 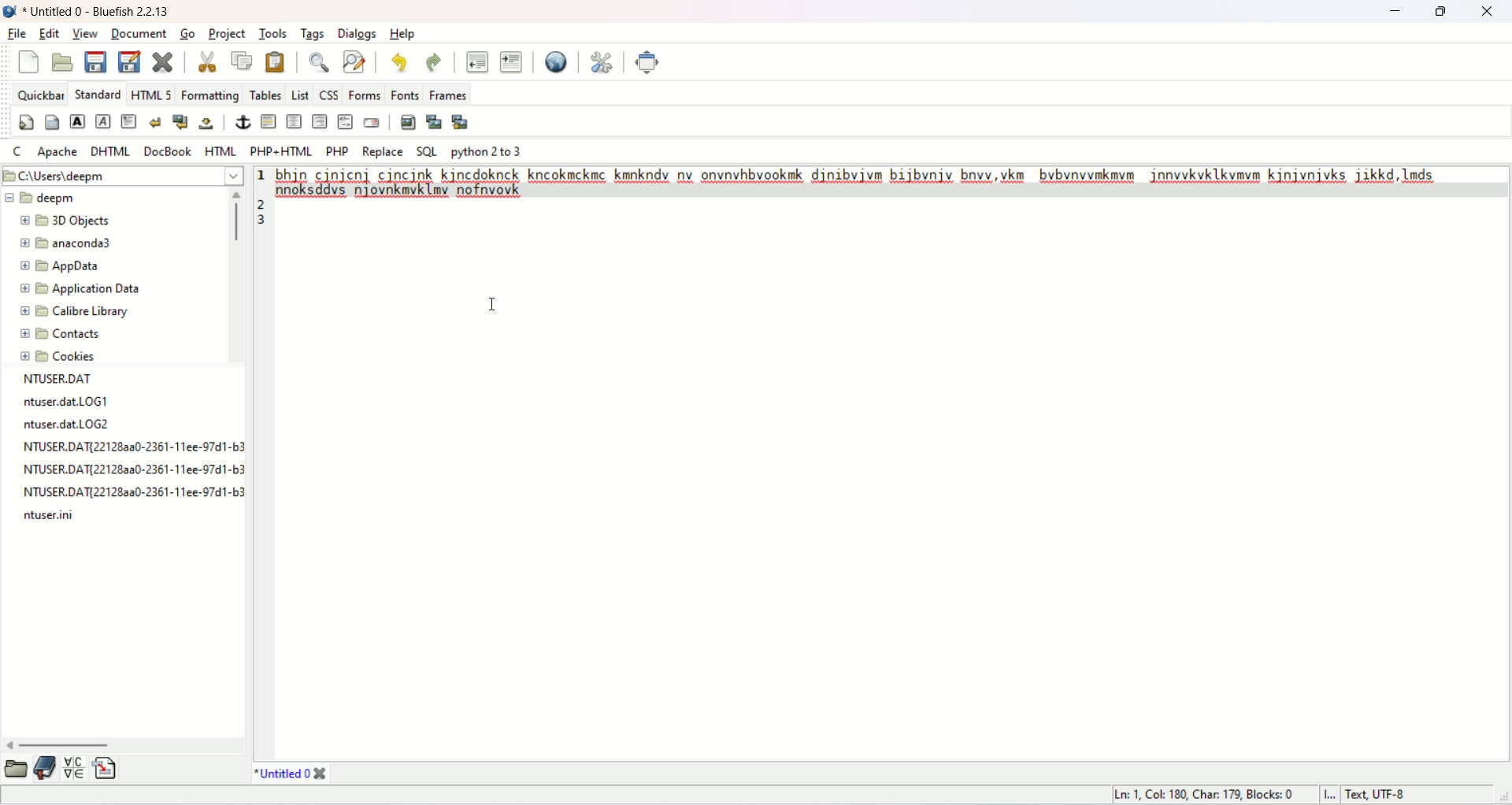 What do you see at coordinates (281, 151) in the screenshot?
I see `PHP+HTML` at bounding box center [281, 151].